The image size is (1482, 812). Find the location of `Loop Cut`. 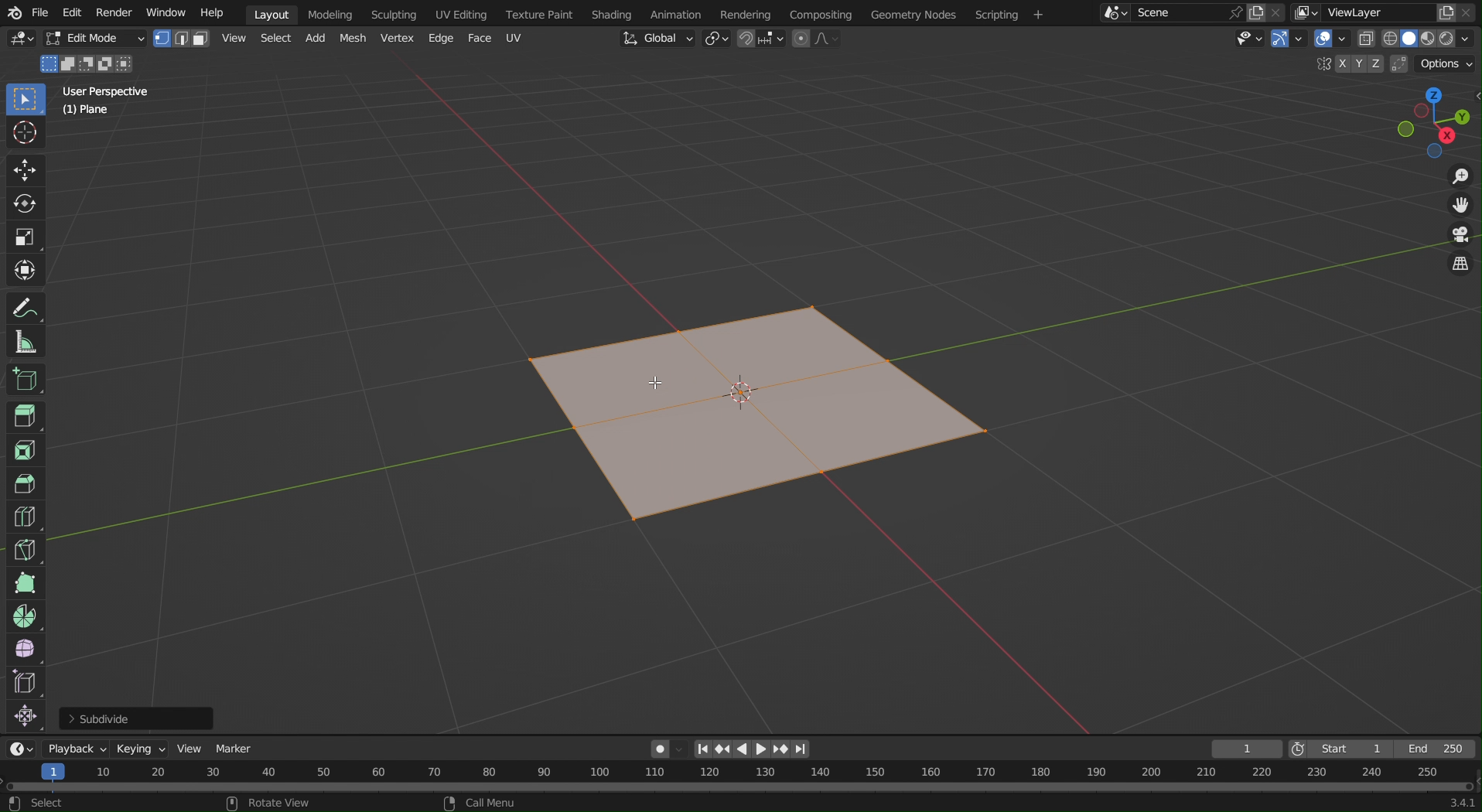

Loop Cut is located at coordinates (23, 517).